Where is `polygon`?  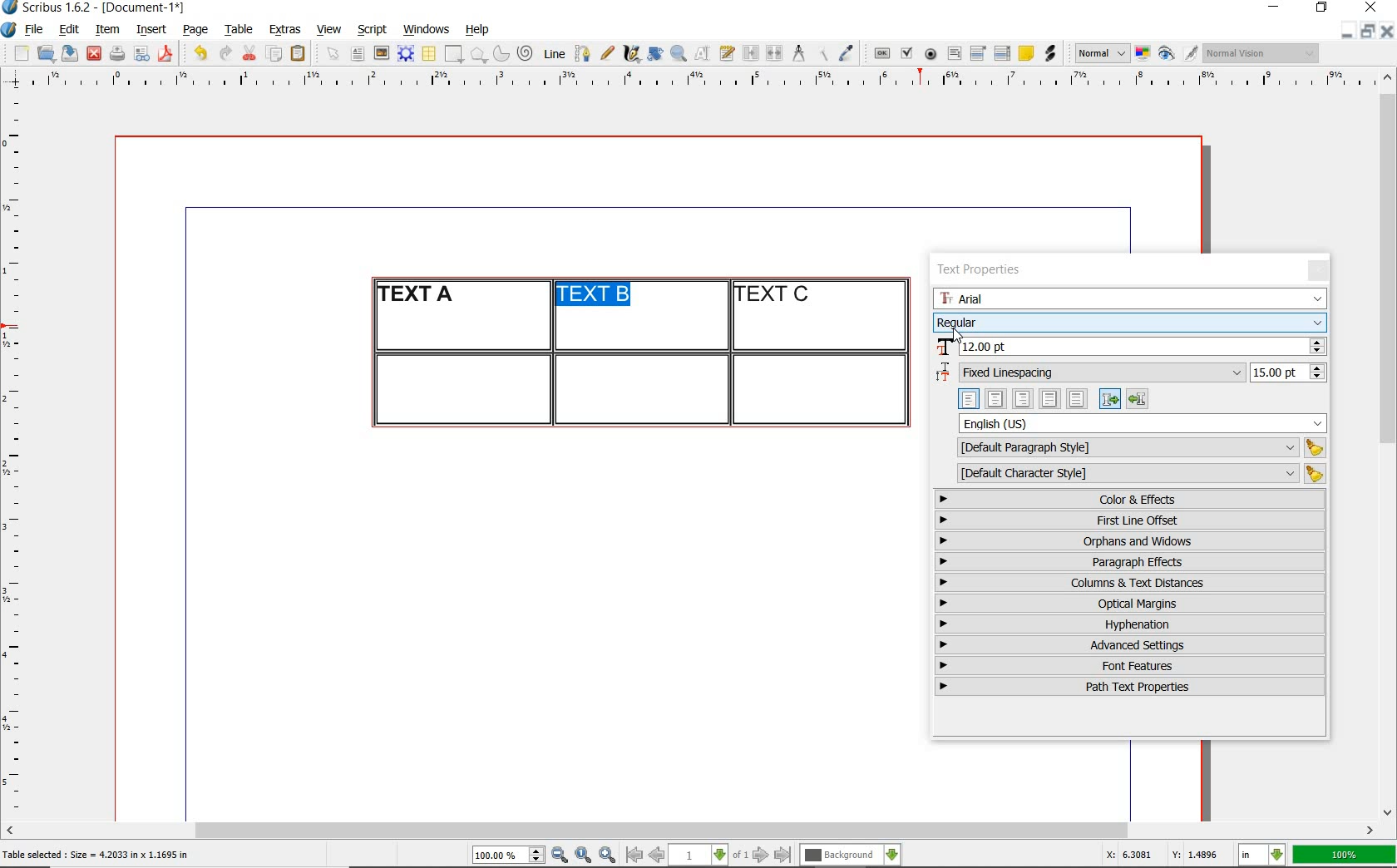
polygon is located at coordinates (478, 54).